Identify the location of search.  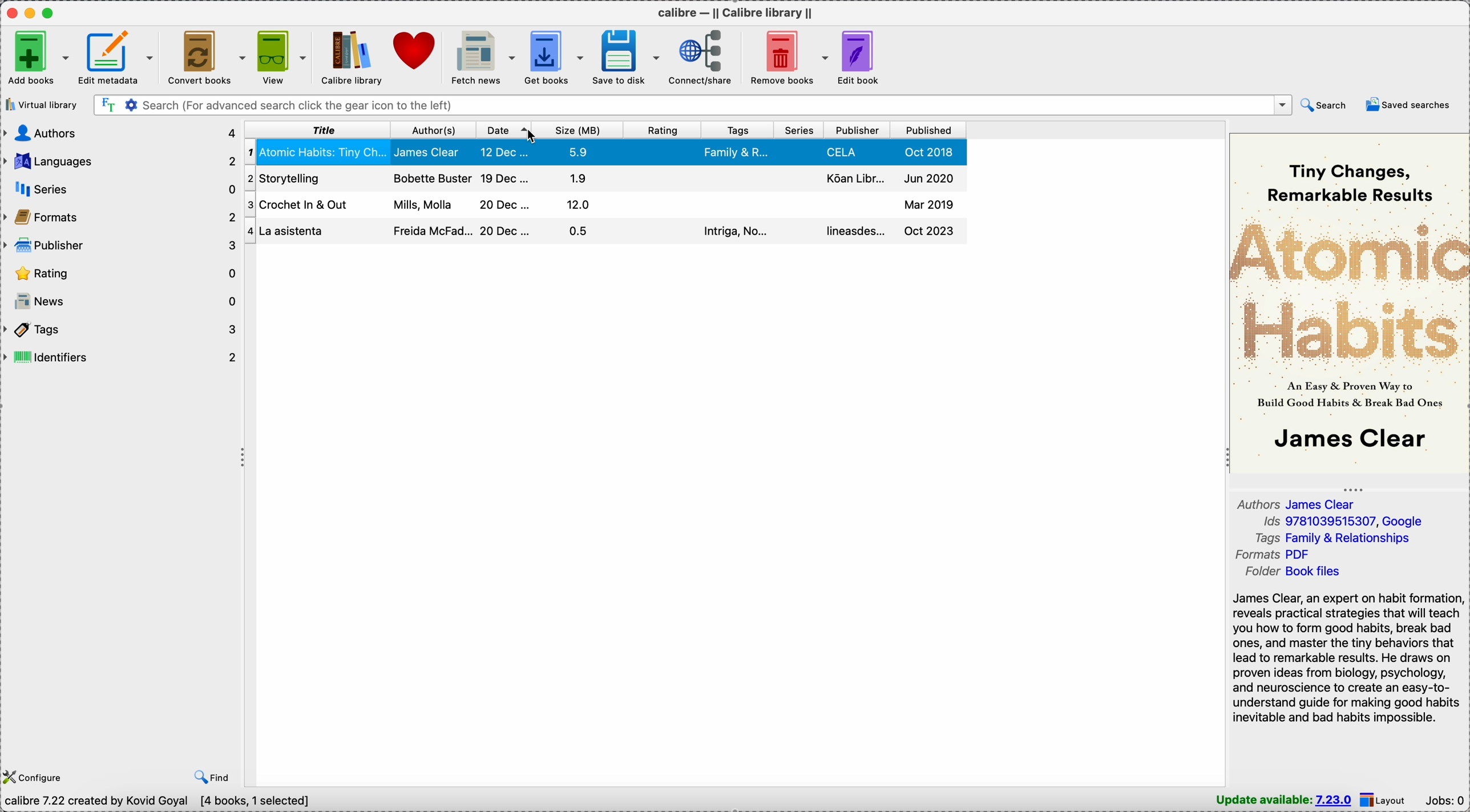
(1323, 106).